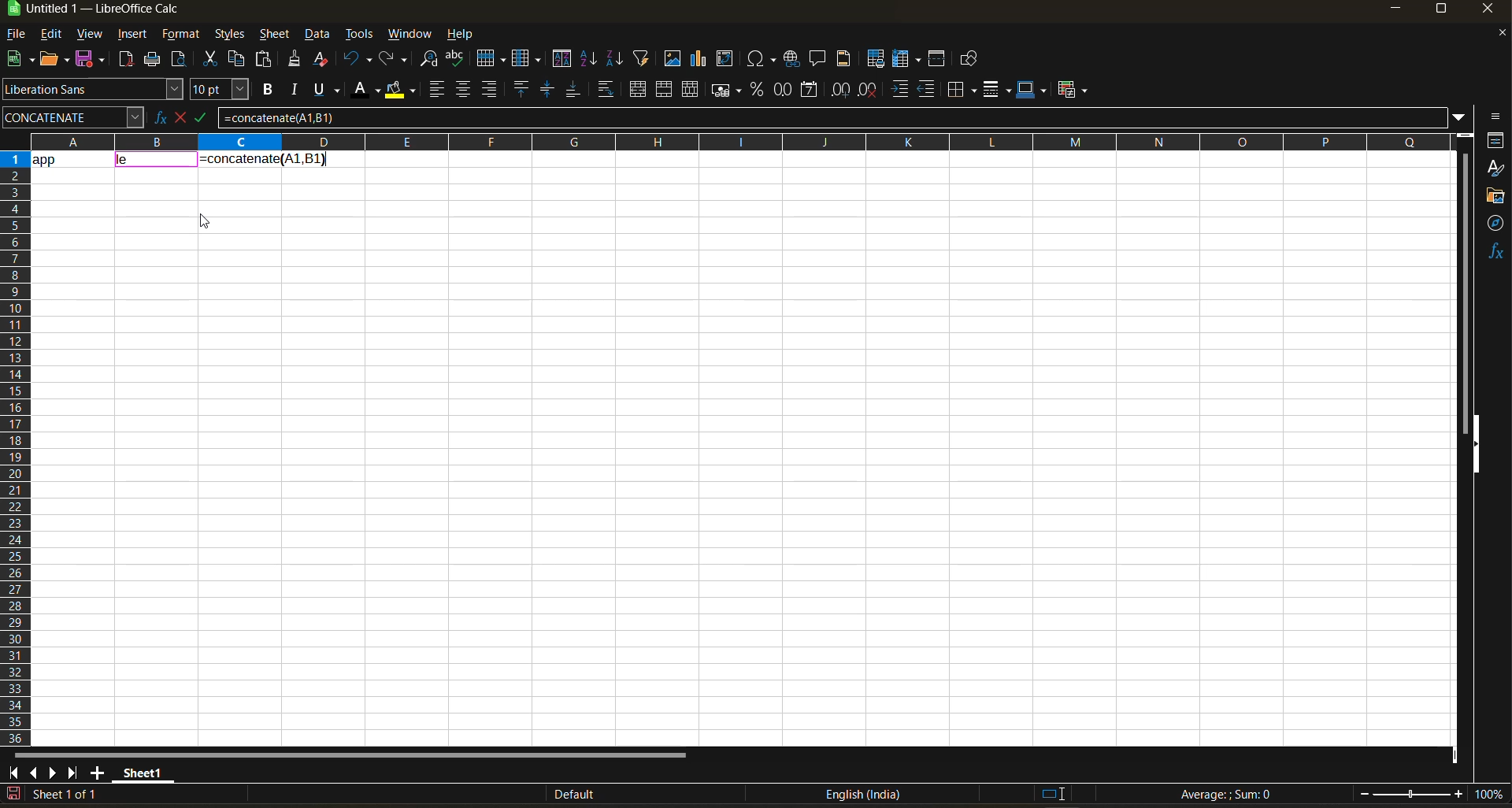 The width and height of the screenshot is (1512, 808). What do you see at coordinates (399, 91) in the screenshot?
I see `background color` at bounding box center [399, 91].